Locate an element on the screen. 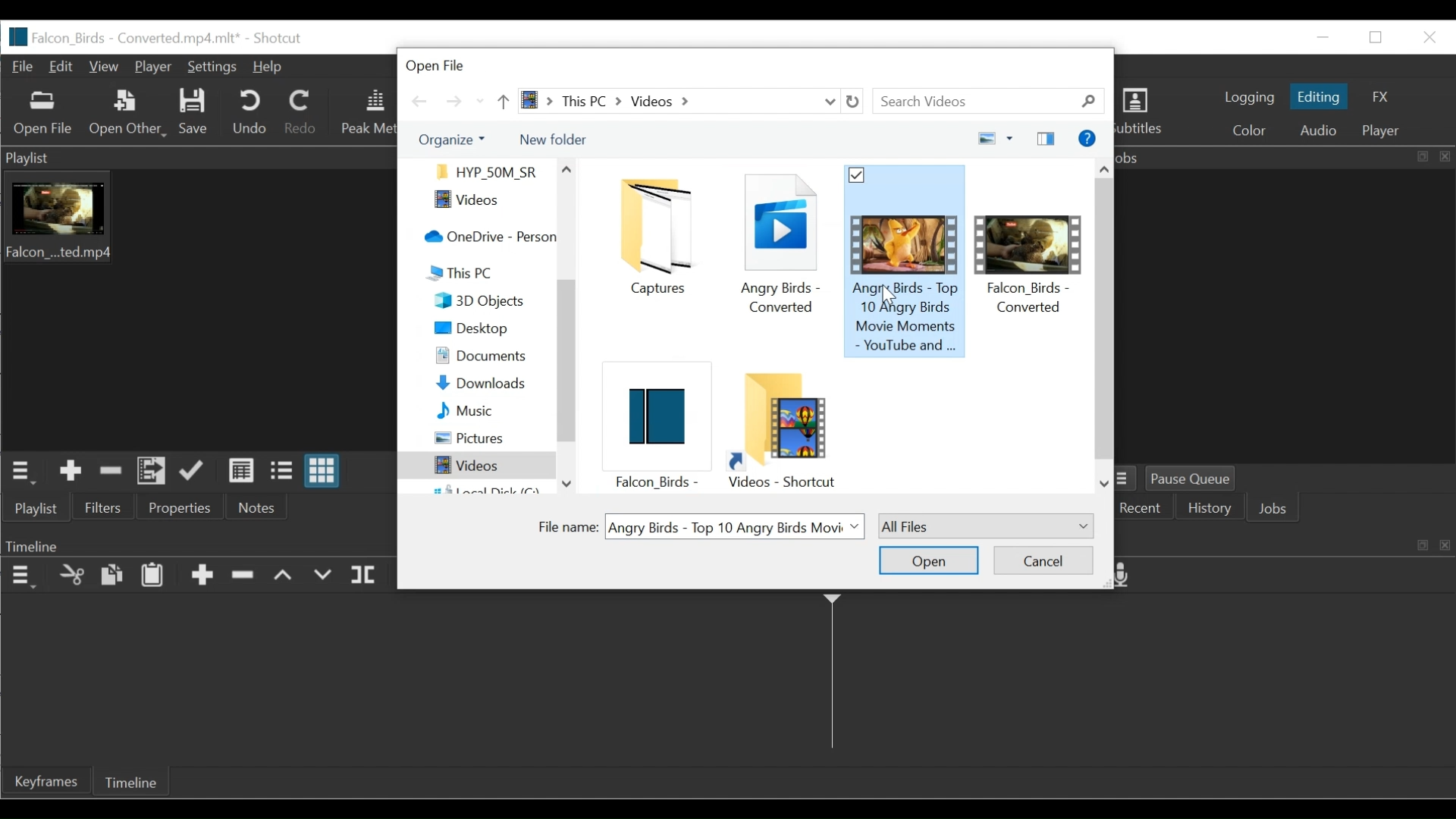 This screenshot has width=1456, height=819. Desktop is located at coordinates (480, 330).